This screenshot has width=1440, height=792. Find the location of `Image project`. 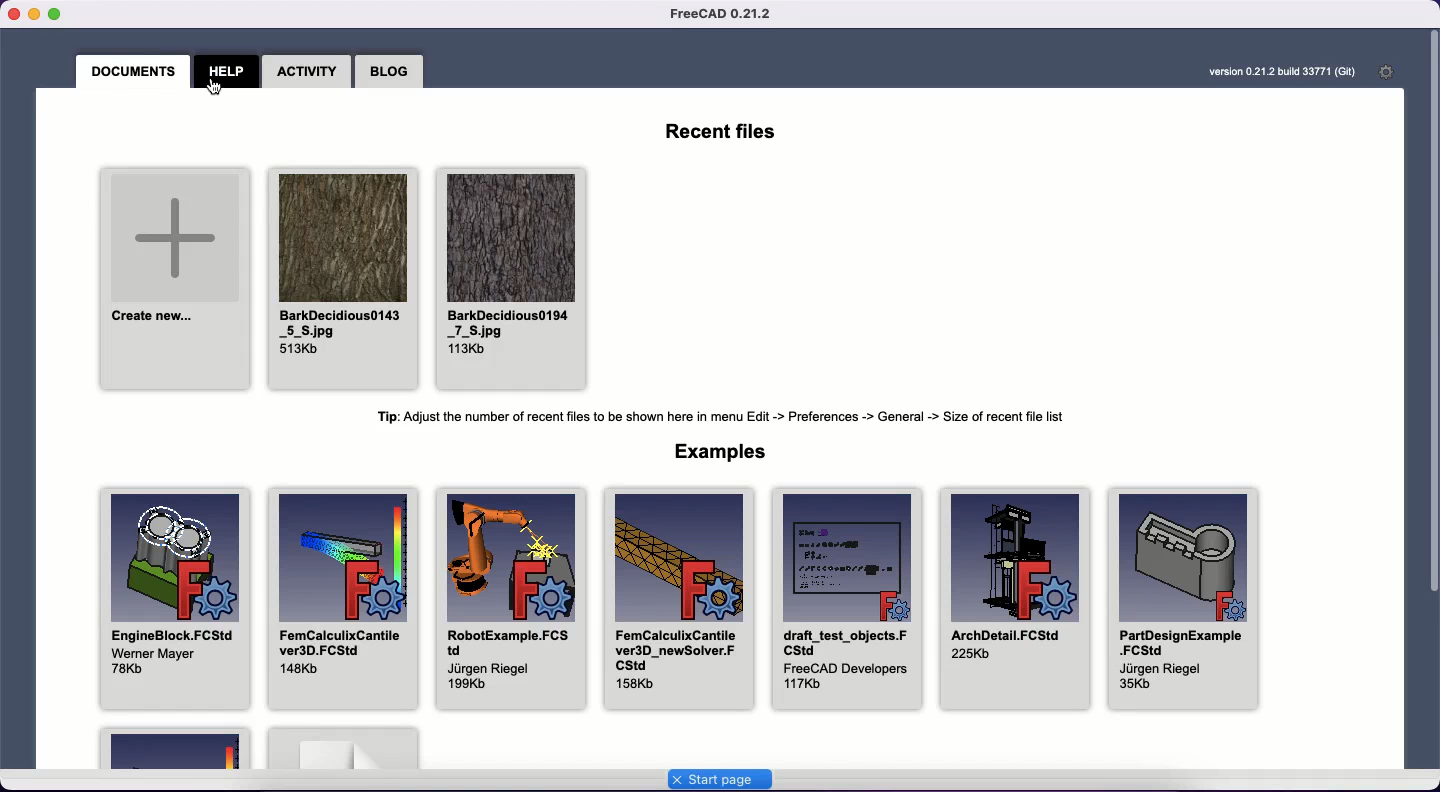

Image project is located at coordinates (510, 277).